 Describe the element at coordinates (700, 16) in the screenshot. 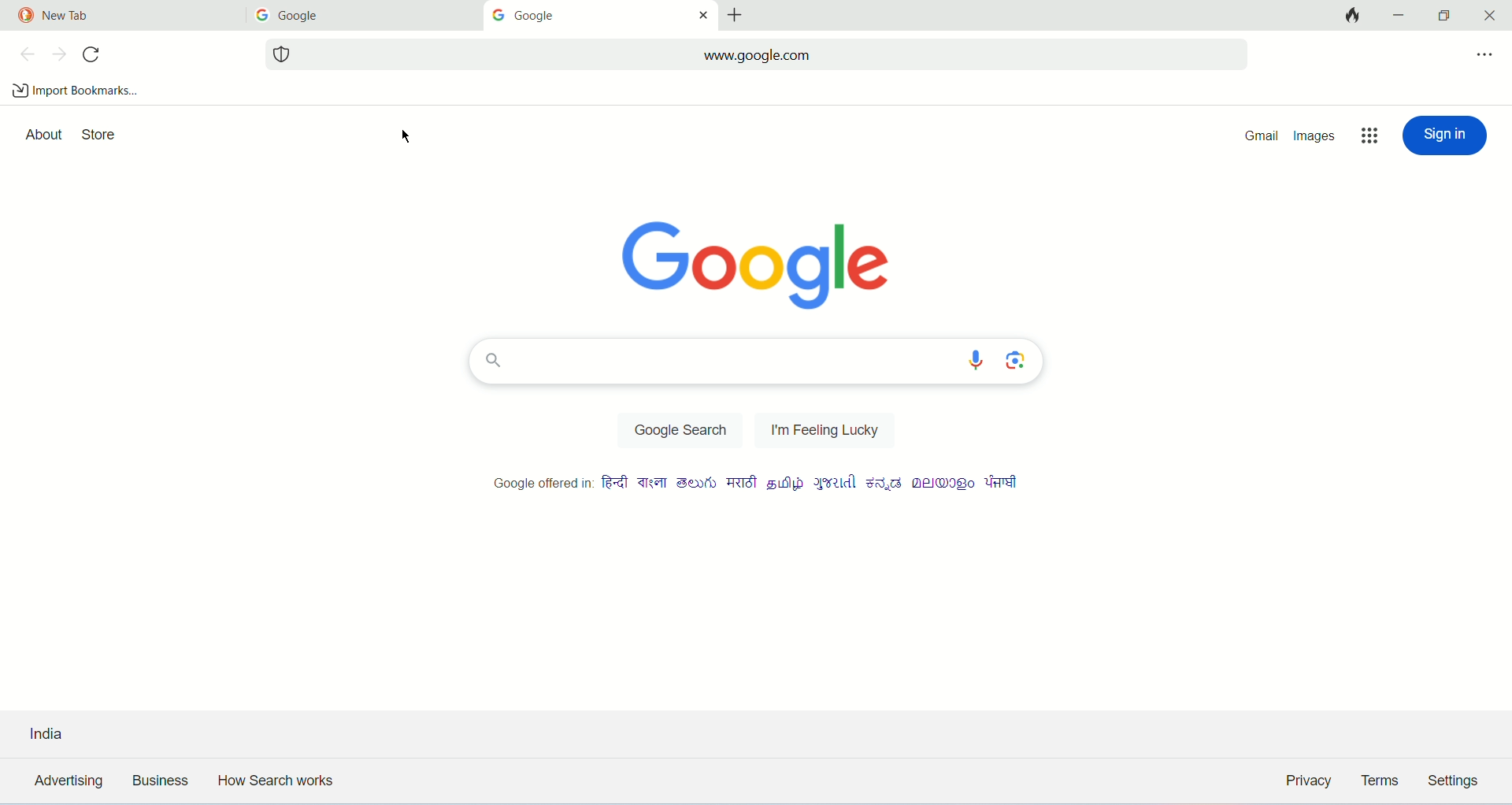

I see `close` at that location.